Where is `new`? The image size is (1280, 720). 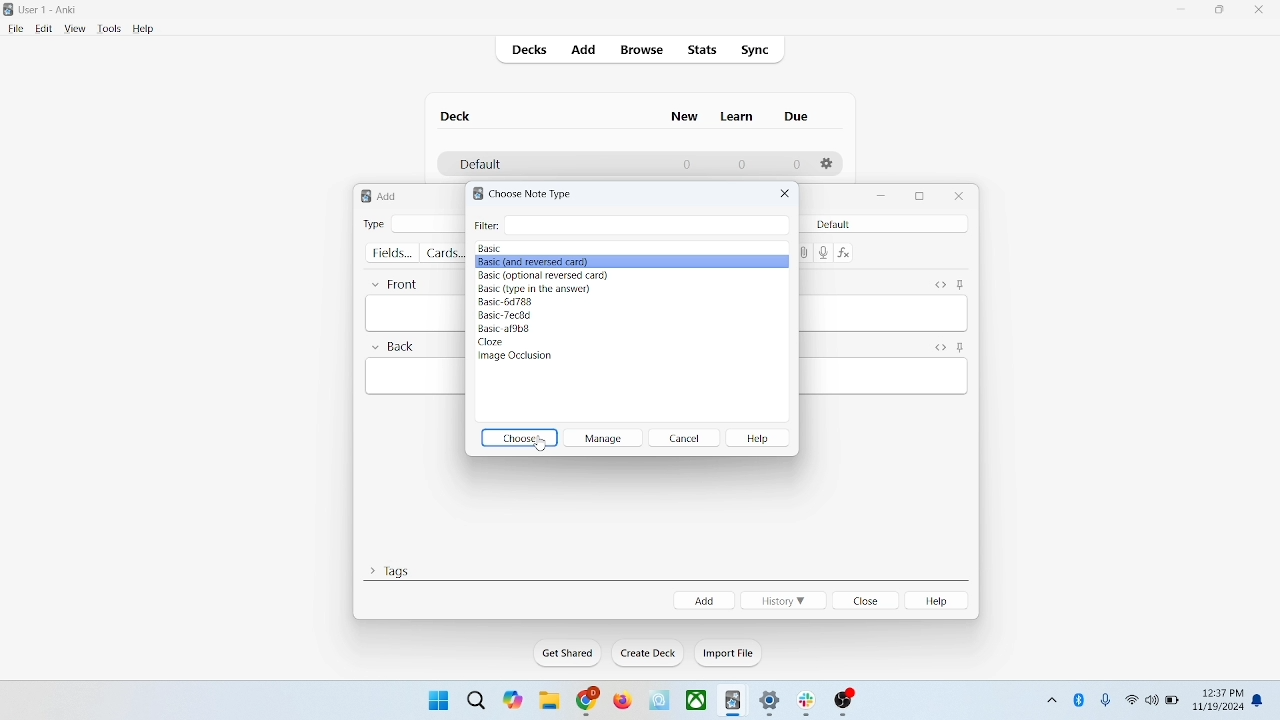 new is located at coordinates (685, 116).